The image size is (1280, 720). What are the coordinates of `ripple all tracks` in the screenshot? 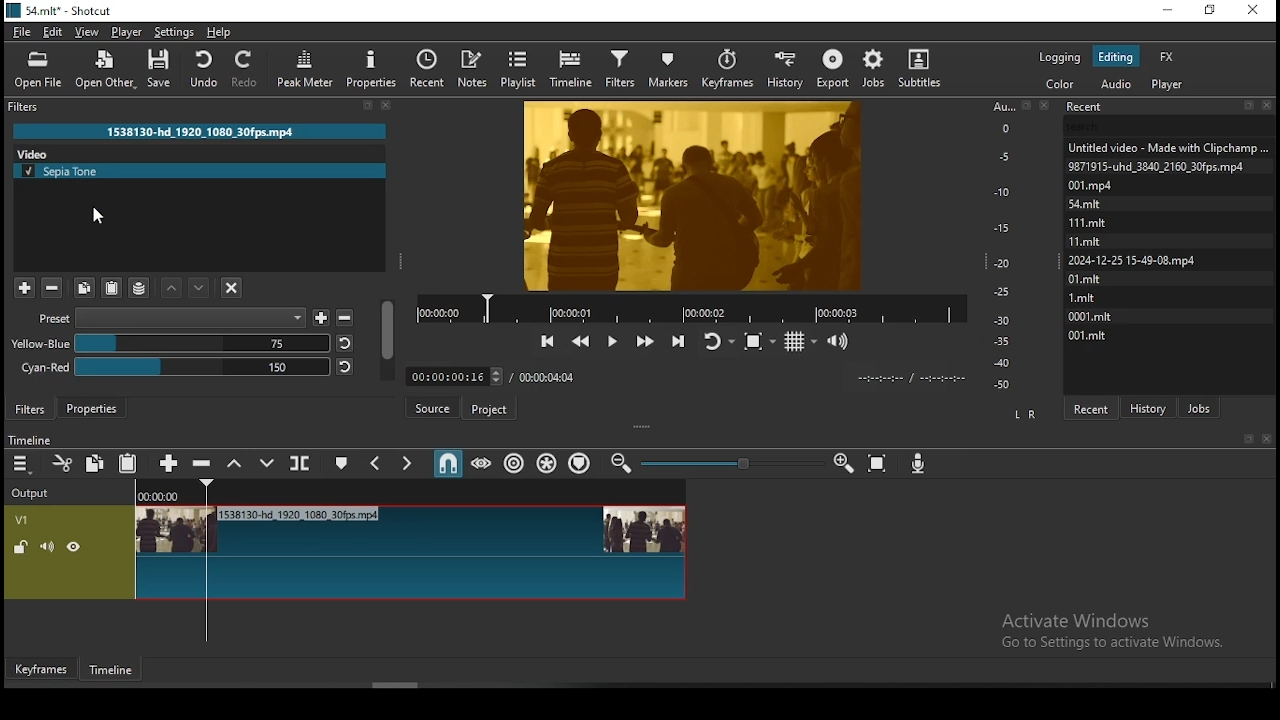 It's located at (549, 464).